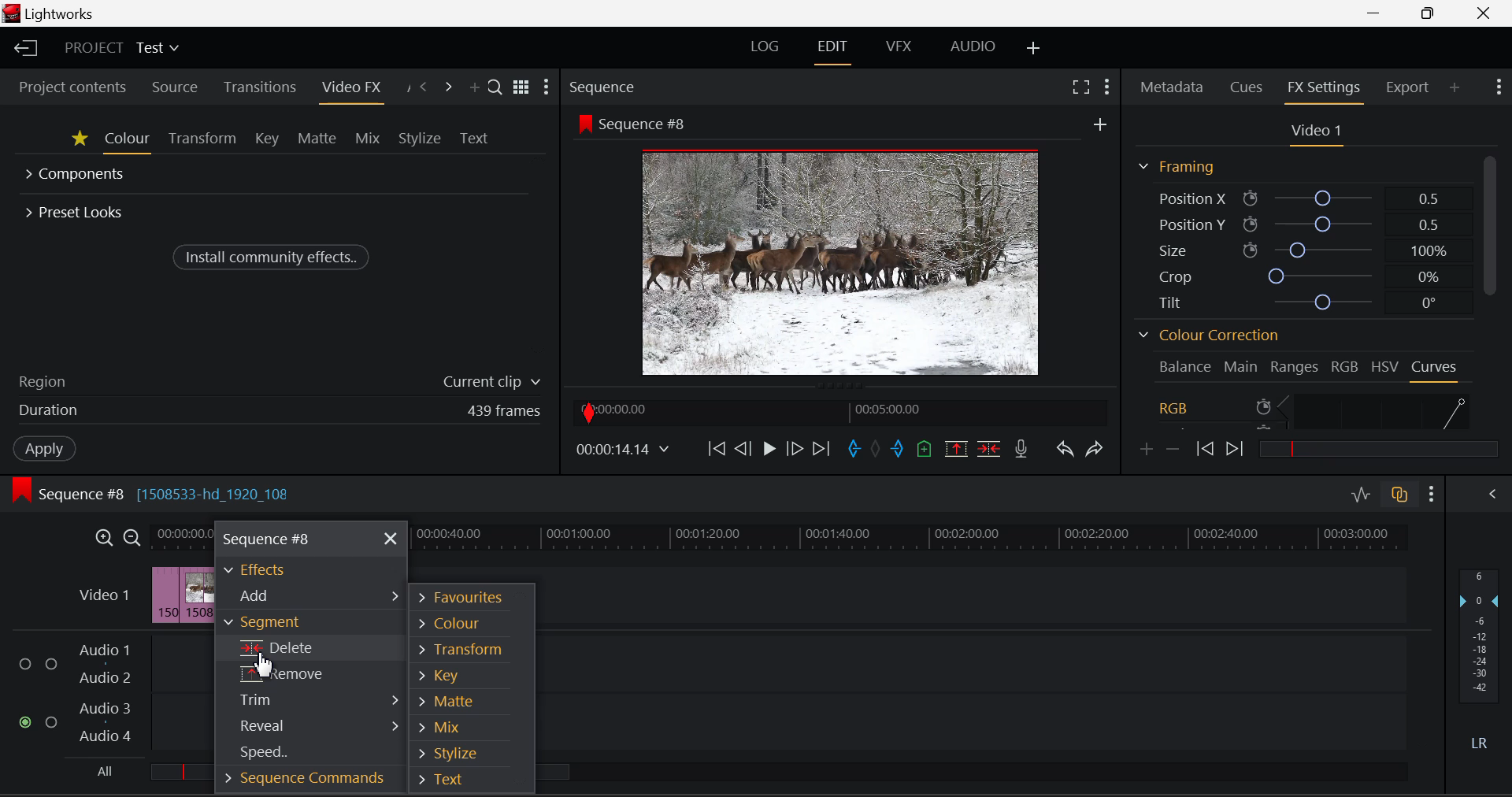 The image size is (1512, 797). Describe the element at coordinates (180, 595) in the screenshot. I see `Clip Inserted` at that location.